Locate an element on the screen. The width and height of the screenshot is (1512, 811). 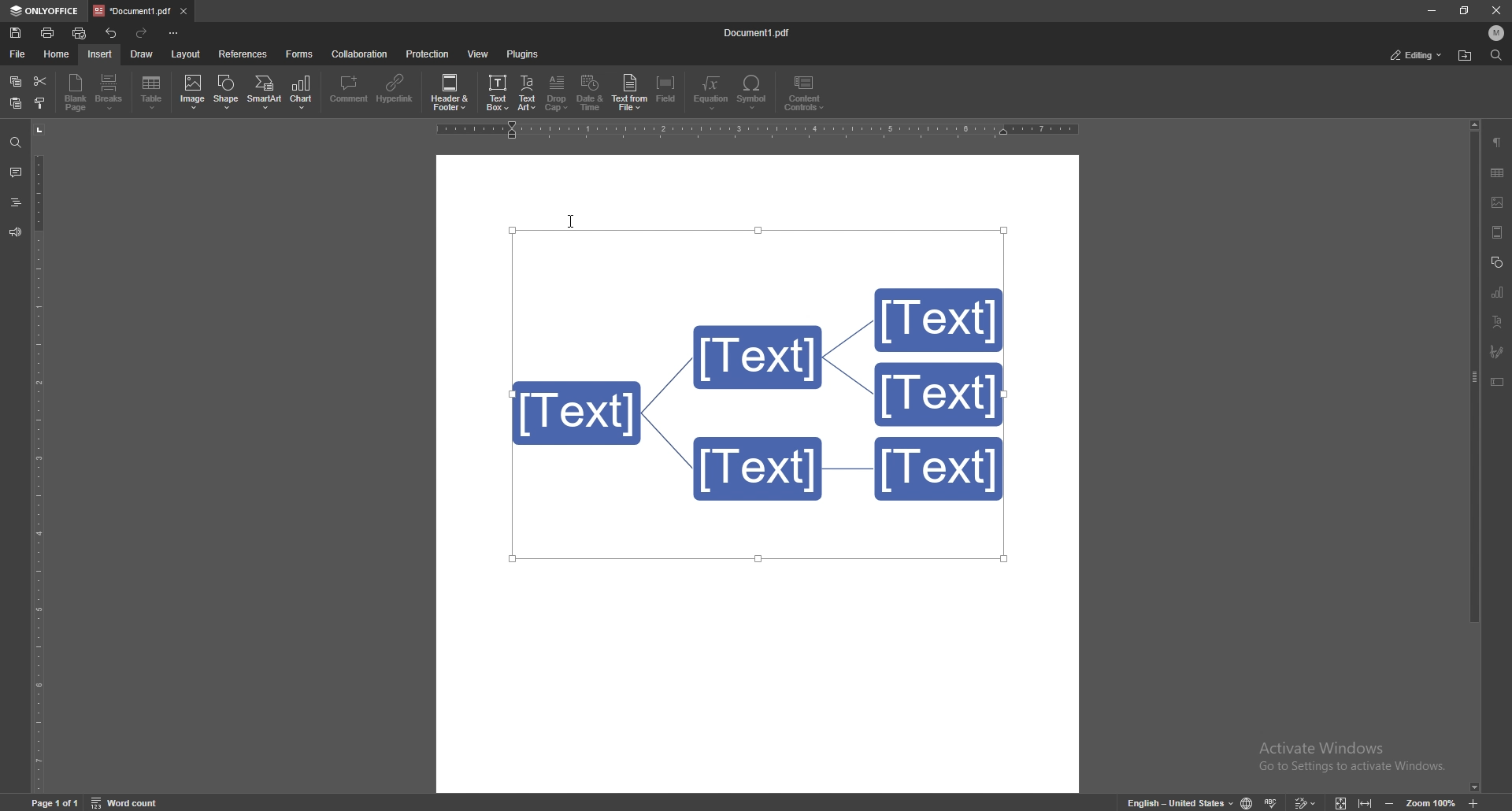
scroll bar is located at coordinates (1475, 457).